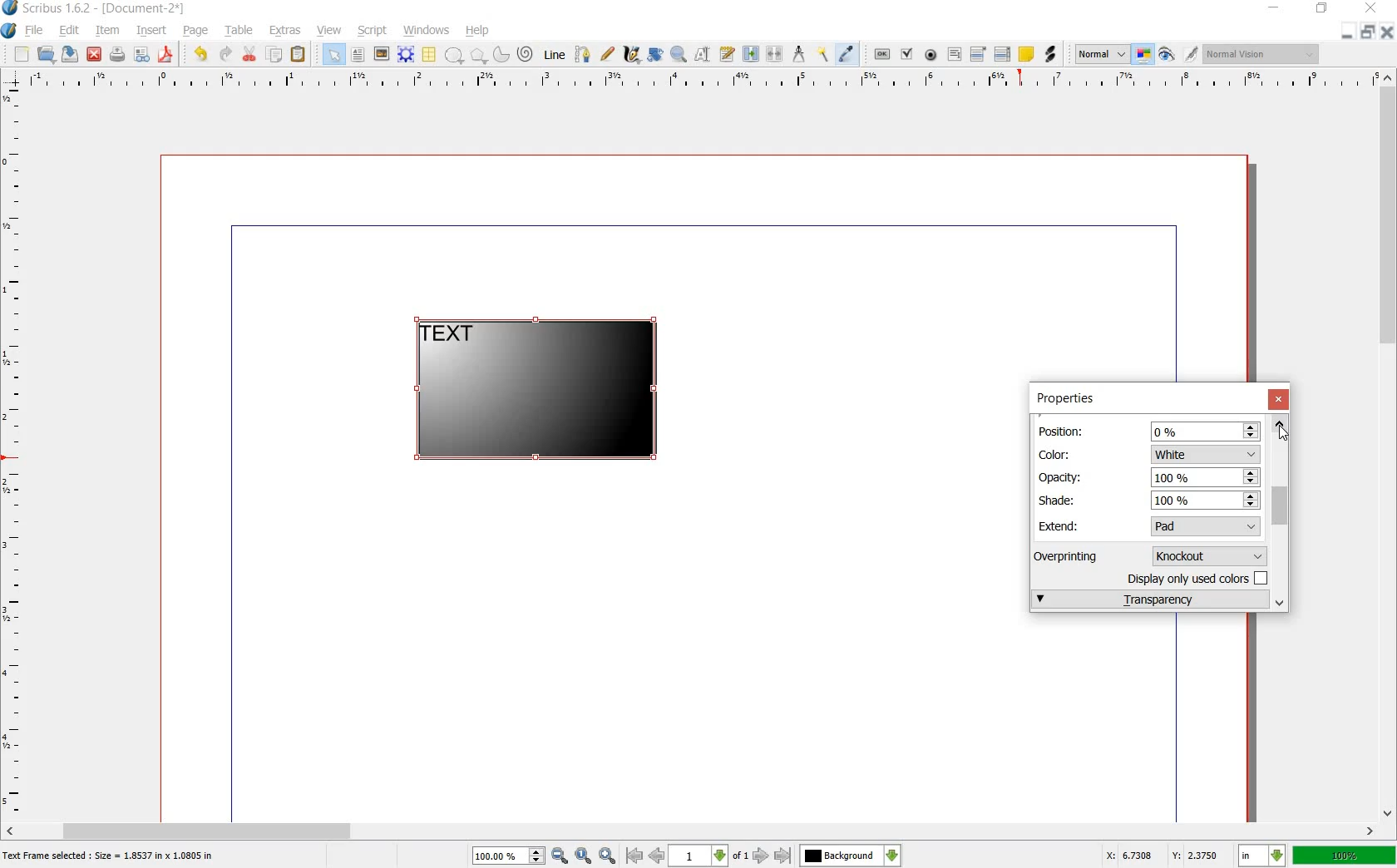 The image size is (1397, 868). Describe the element at coordinates (500, 856) in the screenshot. I see `100%` at that location.